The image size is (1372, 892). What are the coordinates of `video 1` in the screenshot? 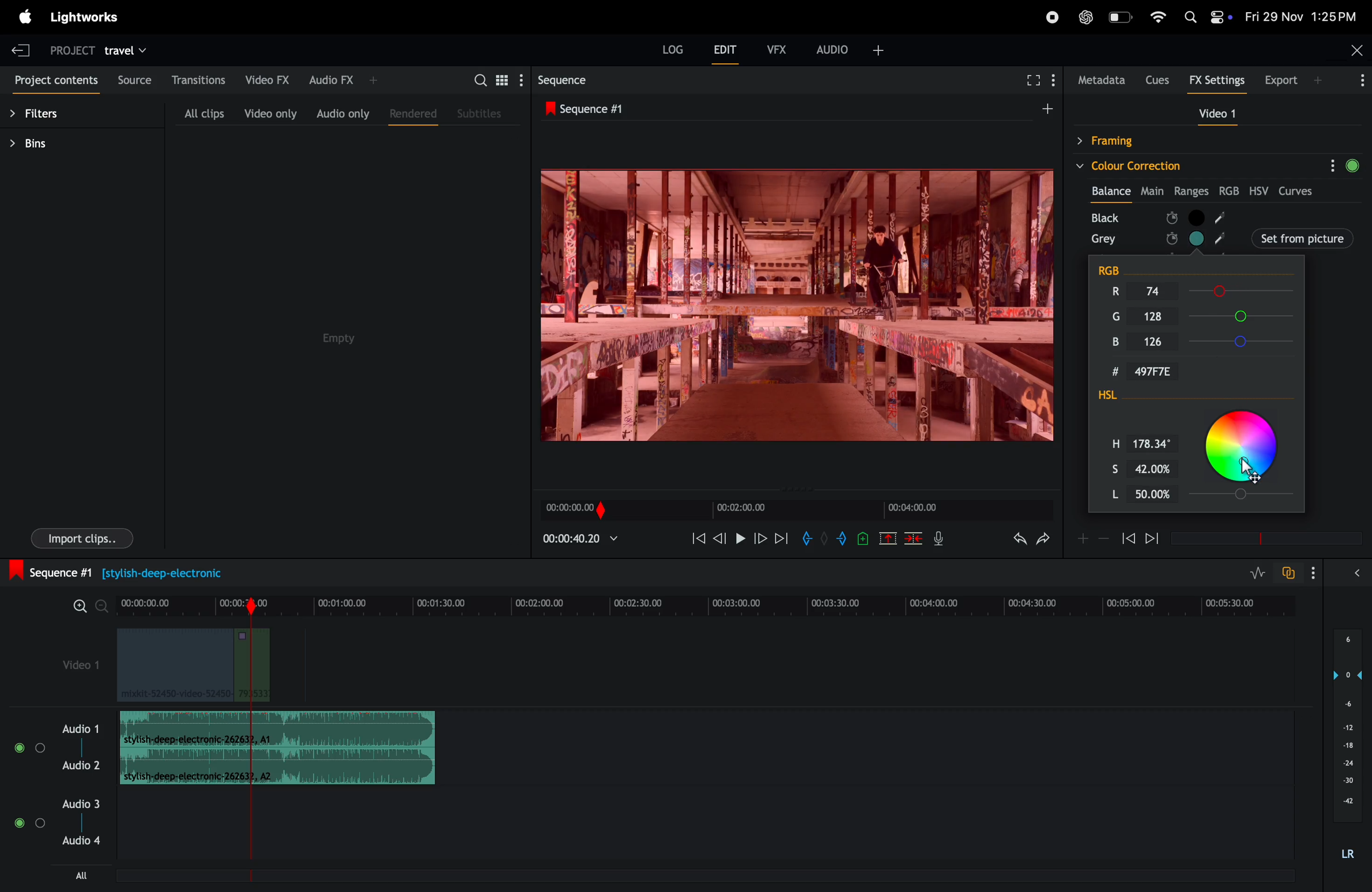 It's located at (1213, 113).